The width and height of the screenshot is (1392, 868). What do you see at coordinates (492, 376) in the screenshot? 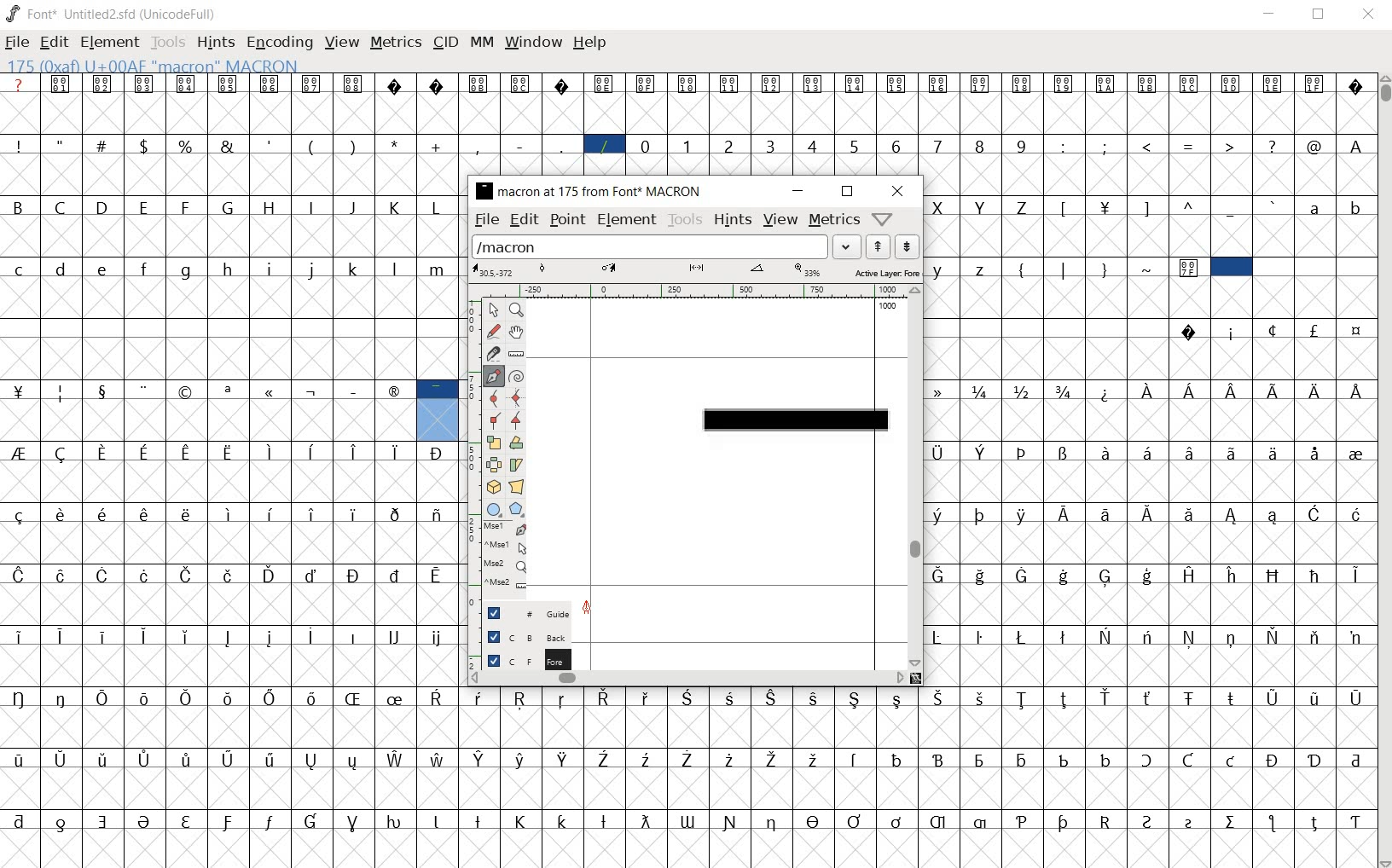
I see `pen` at bounding box center [492, 376].